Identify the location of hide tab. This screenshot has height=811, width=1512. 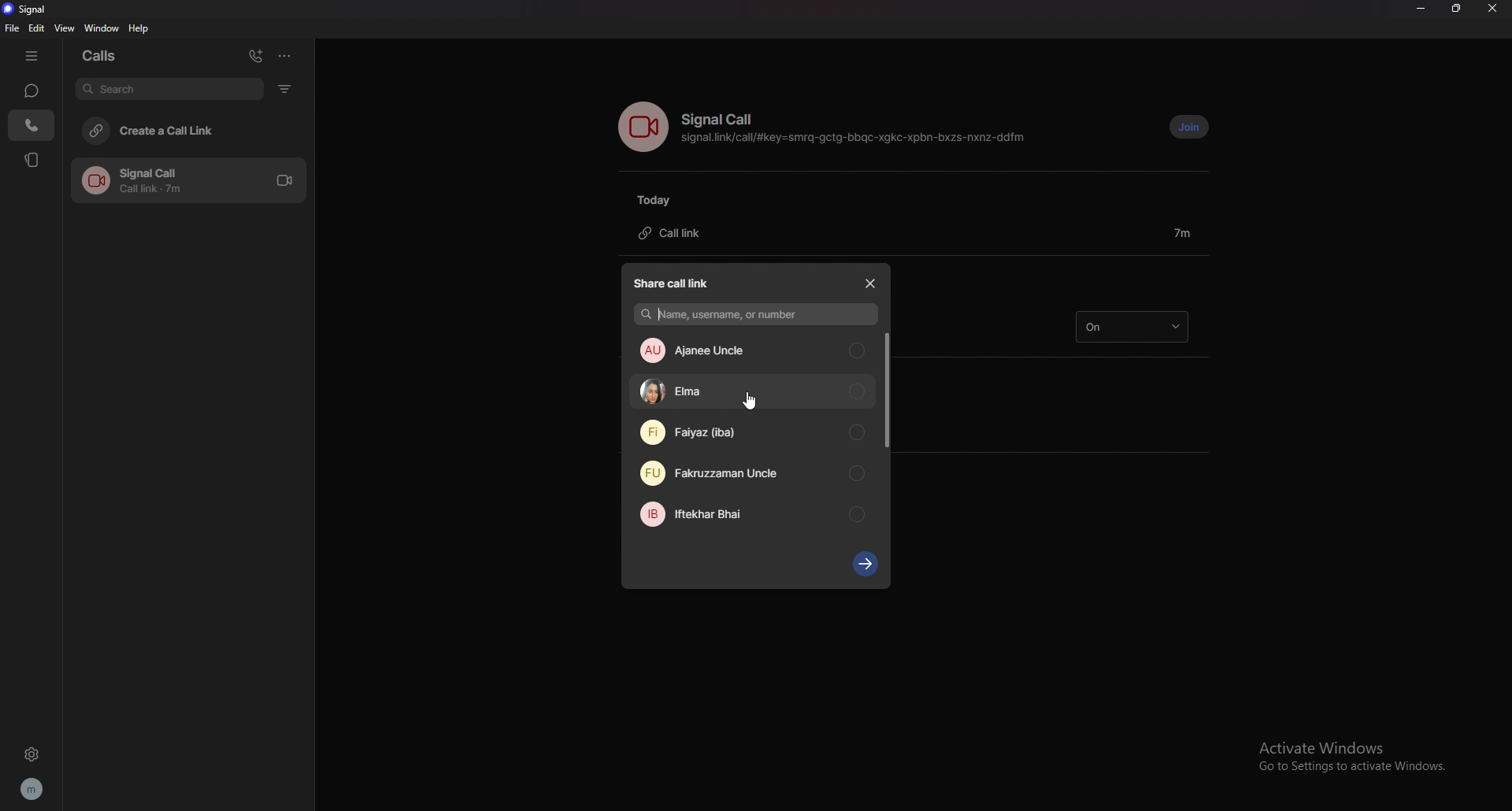
(35, 56).